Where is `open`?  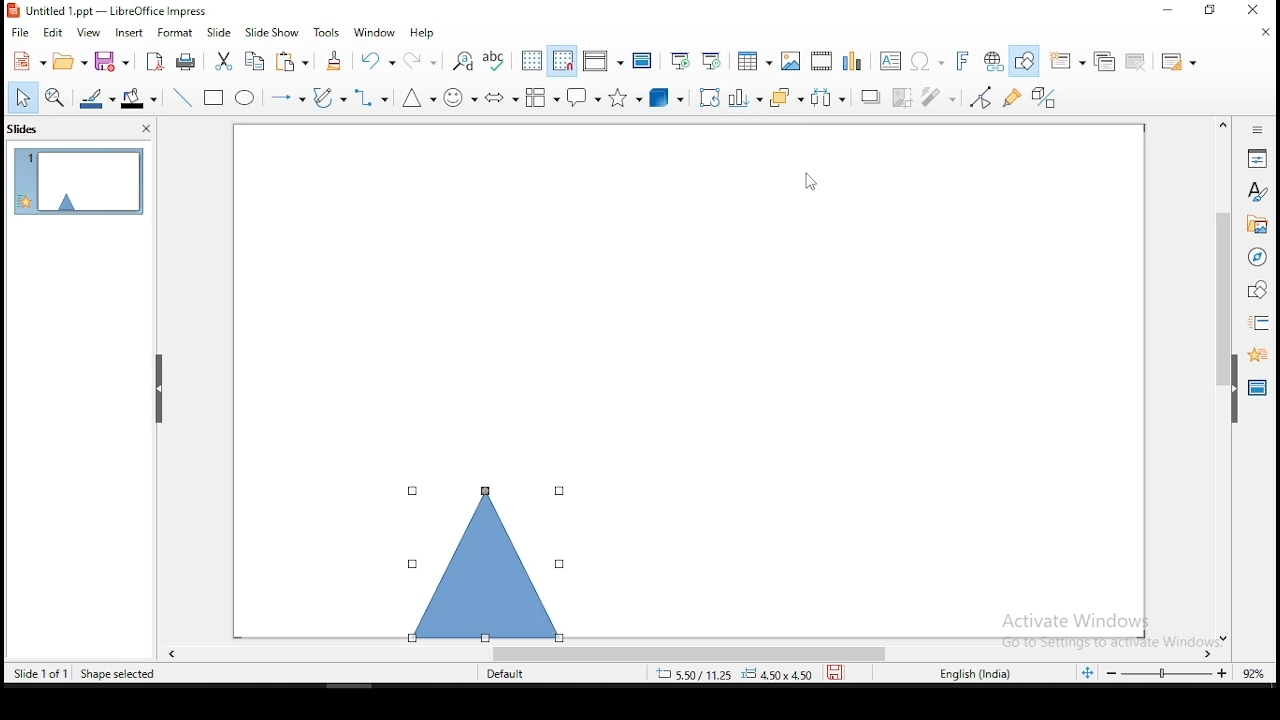
open is located at coordinates (71, 64).